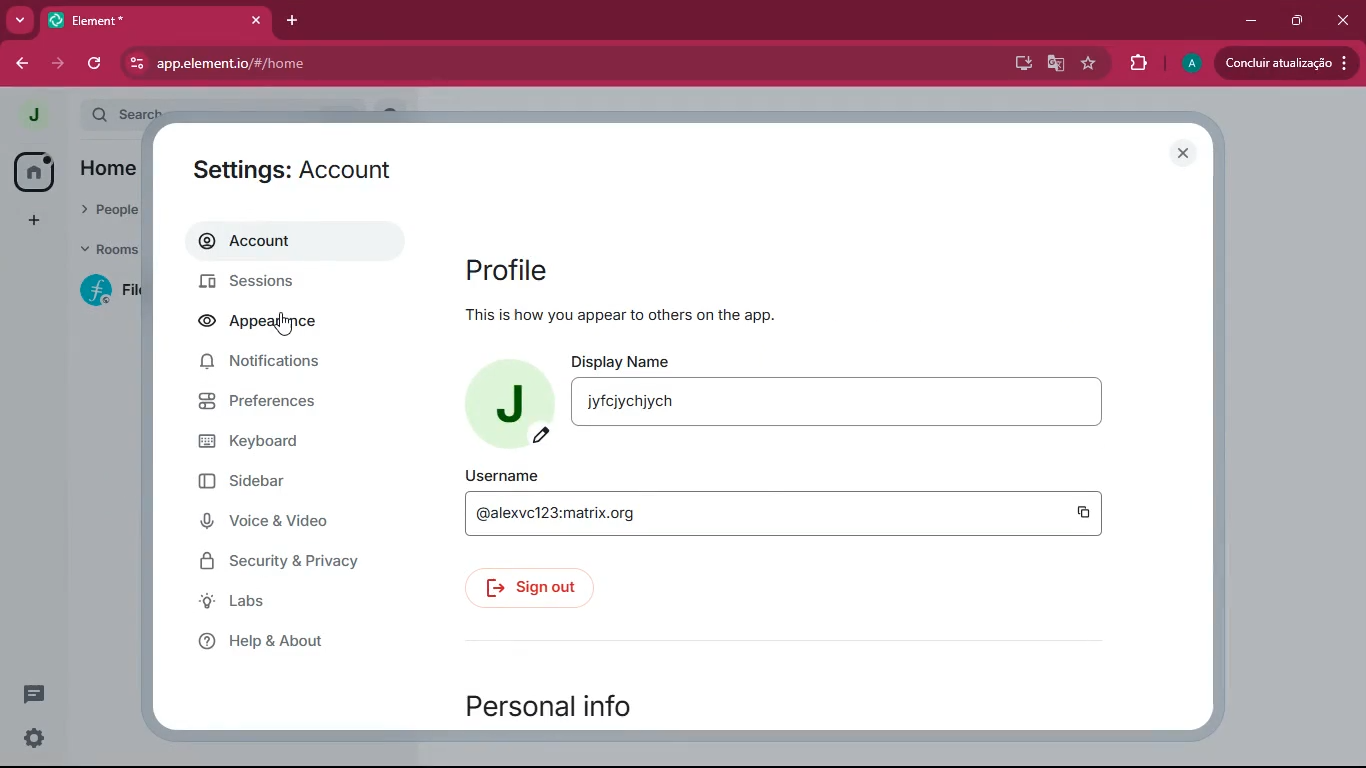 This screenshot has height=768, width=1366. I want to click on This is how you appear to others on the app., so click(622, 317).